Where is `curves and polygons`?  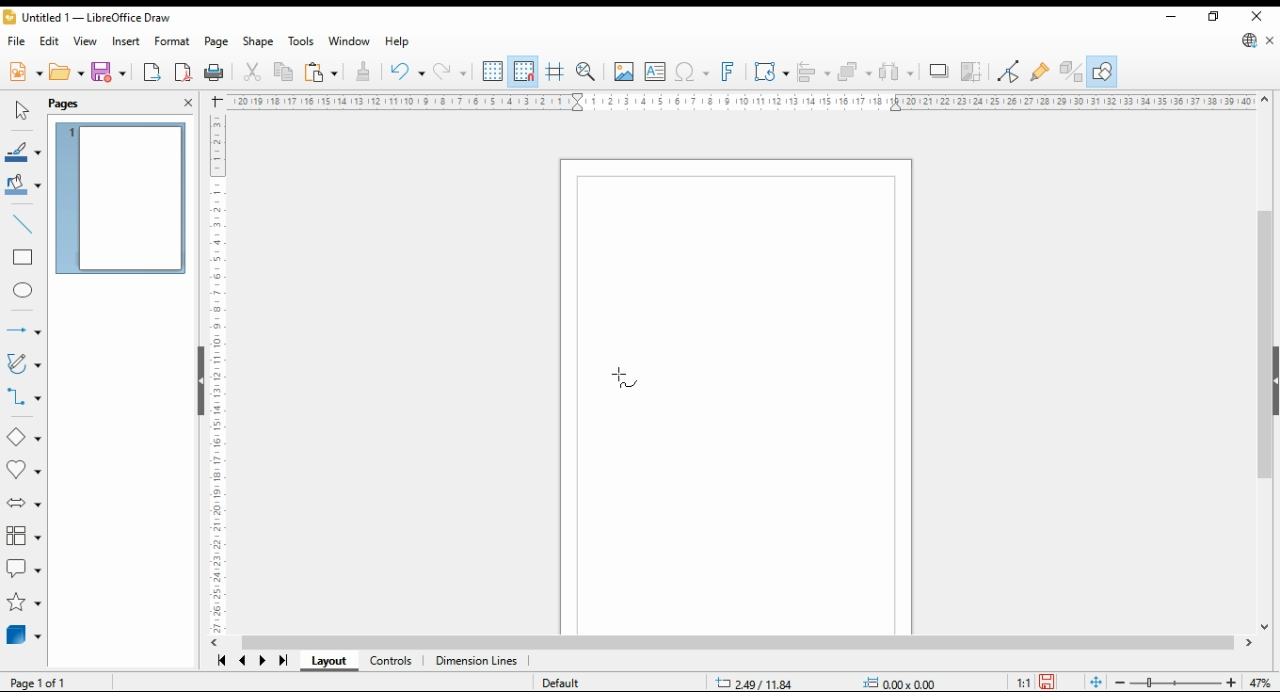
curves and polygons is located at coordinates (22, 363).